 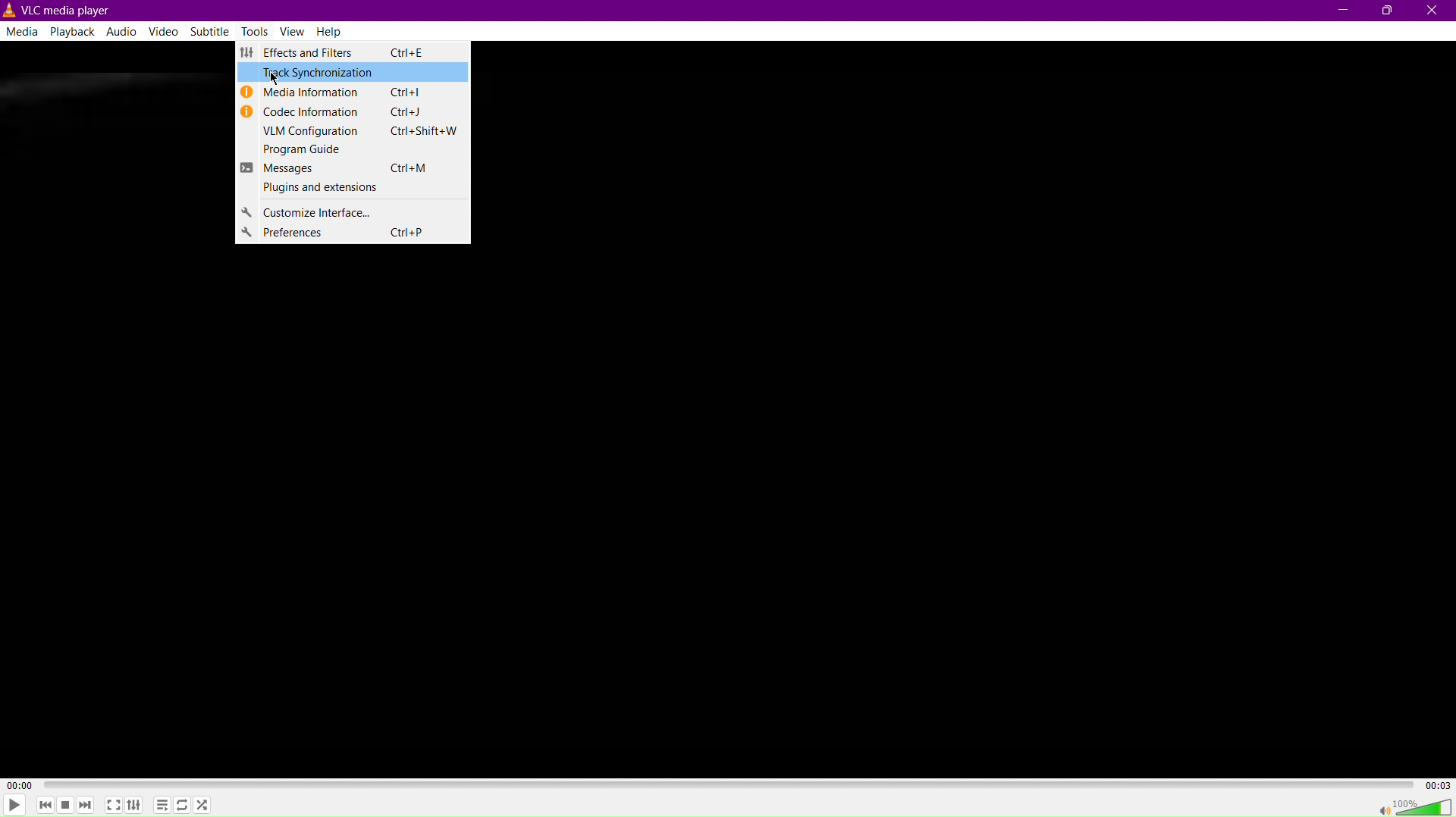 I want to click on Skip forward, so click(x=86, y=804).